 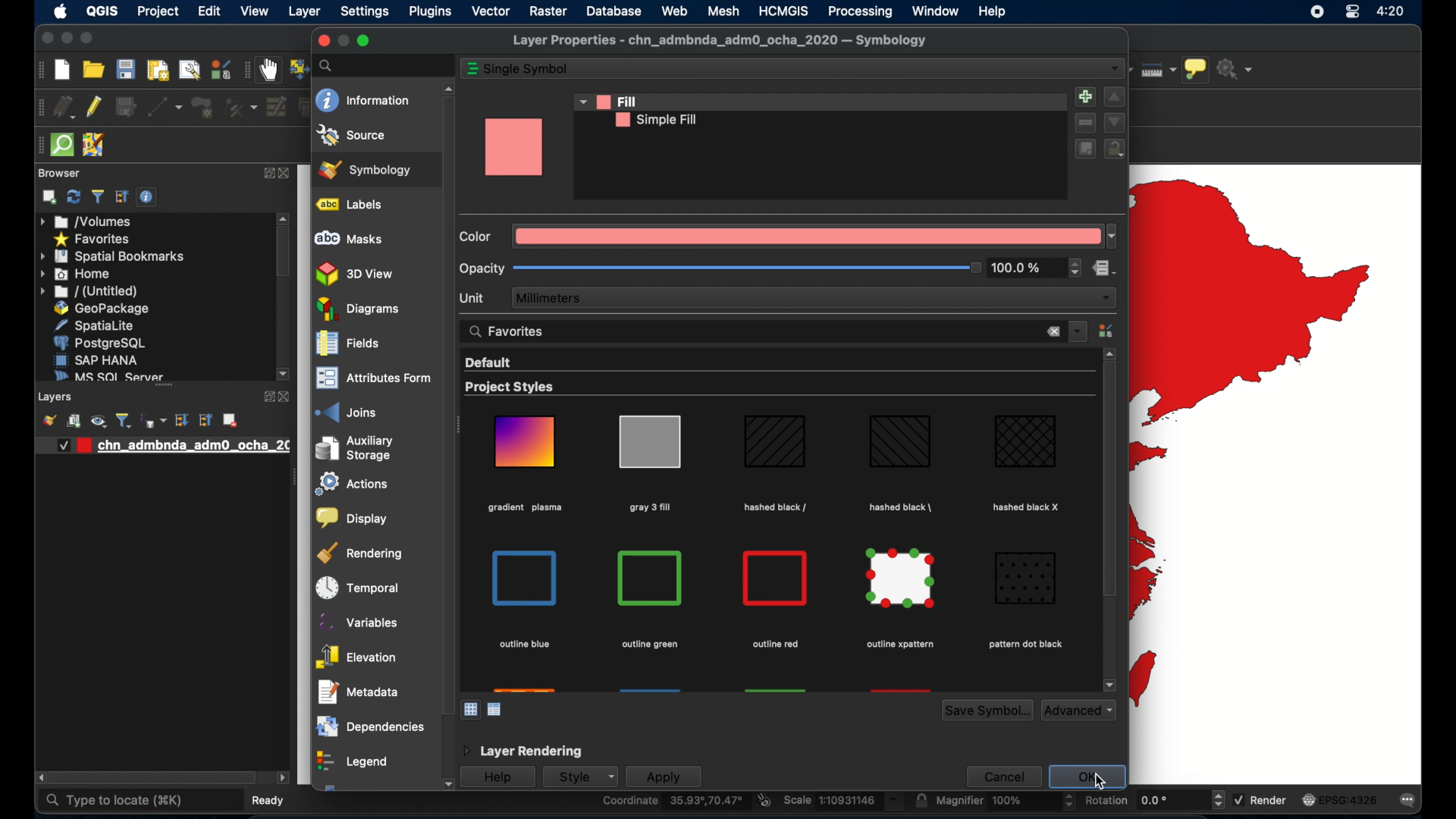 What do you see at coordinates (1100, 780) in the screenshot?
I see `cursor` at bounding box center [1100, 780].